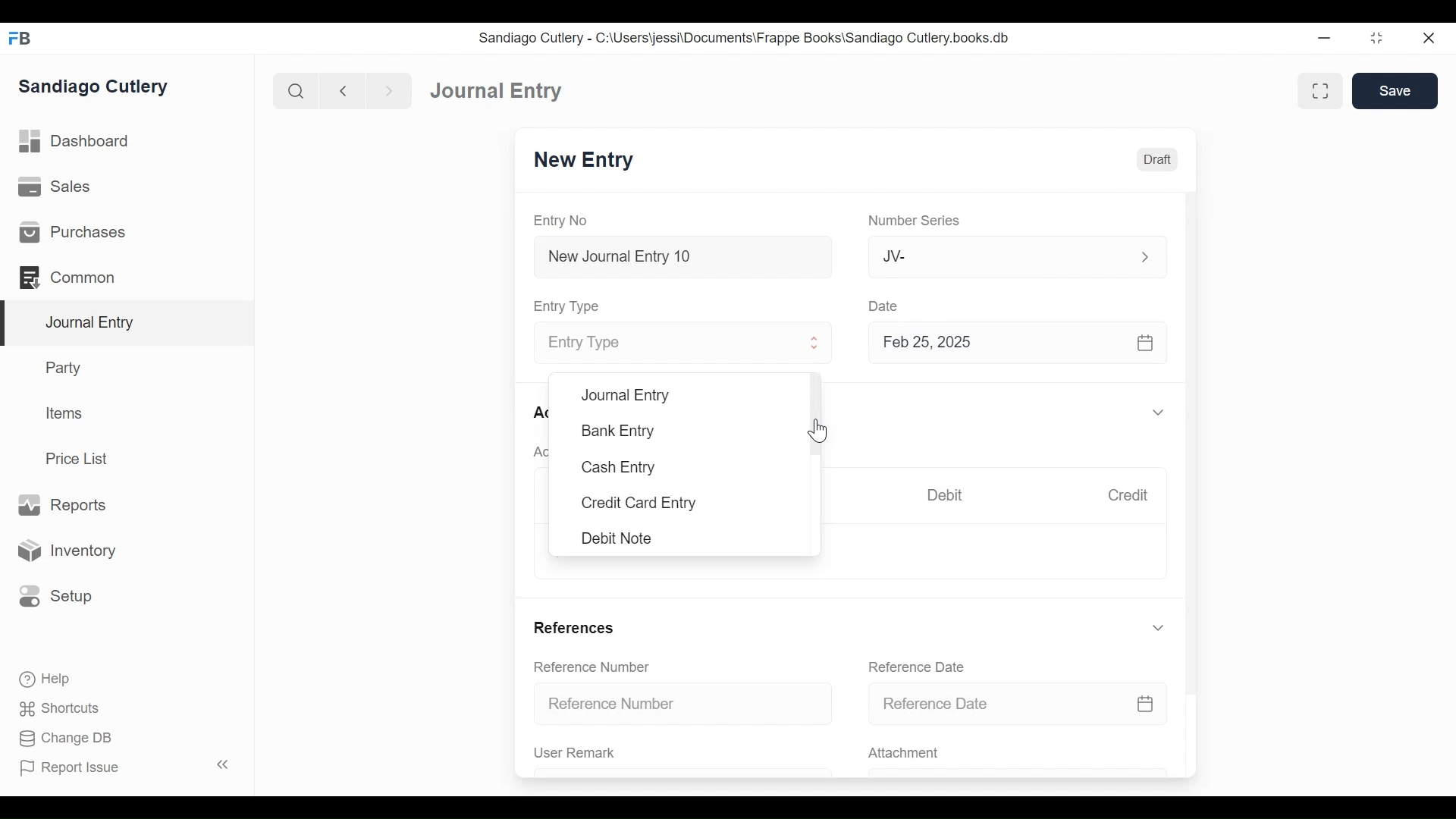 This screenshot has height=819, width=1456. I want to click on Feb 25, 2025, so click(1019, 346).